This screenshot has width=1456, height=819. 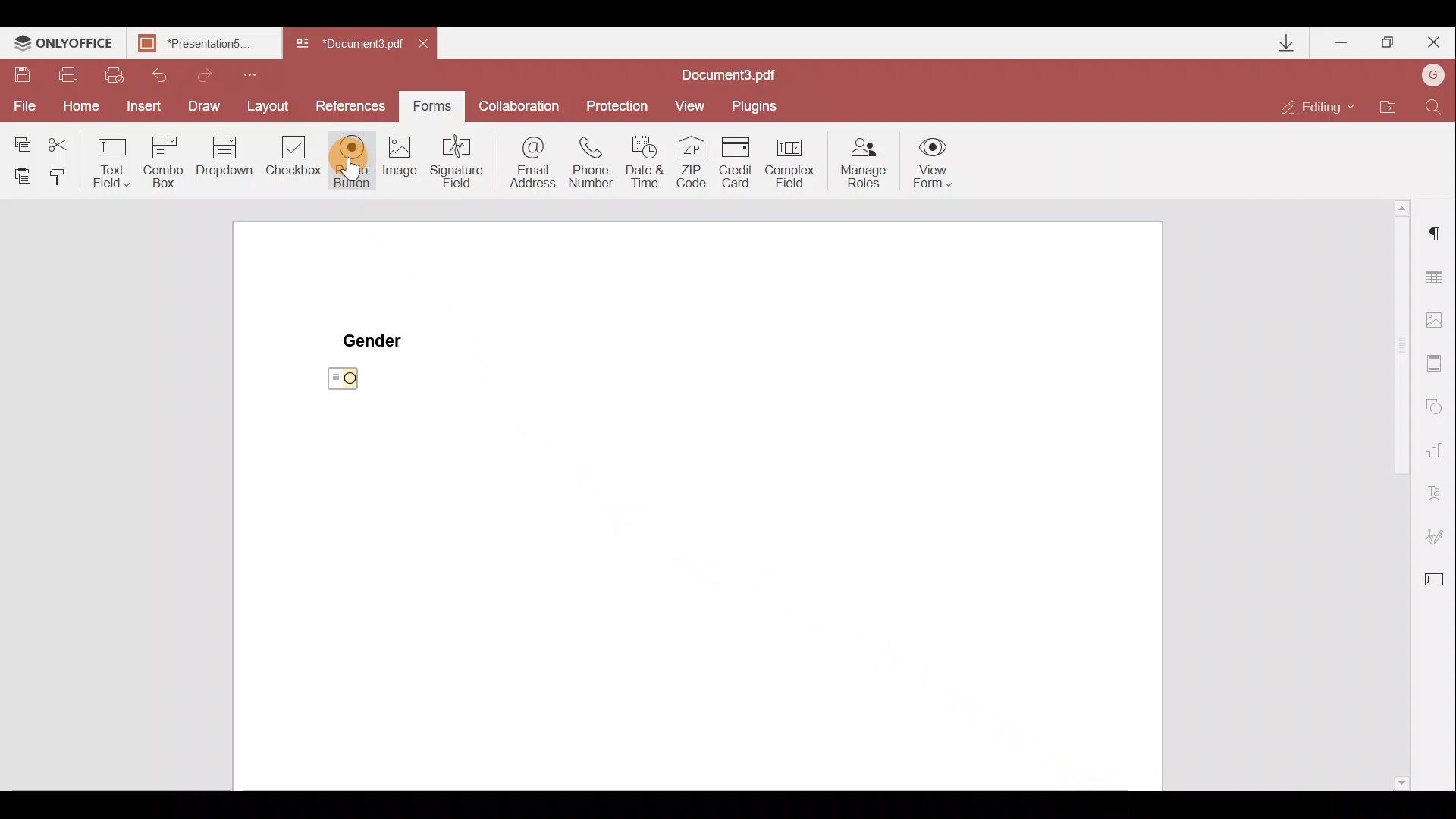 I want to click on Checkbox, so click(x=295, y=160).